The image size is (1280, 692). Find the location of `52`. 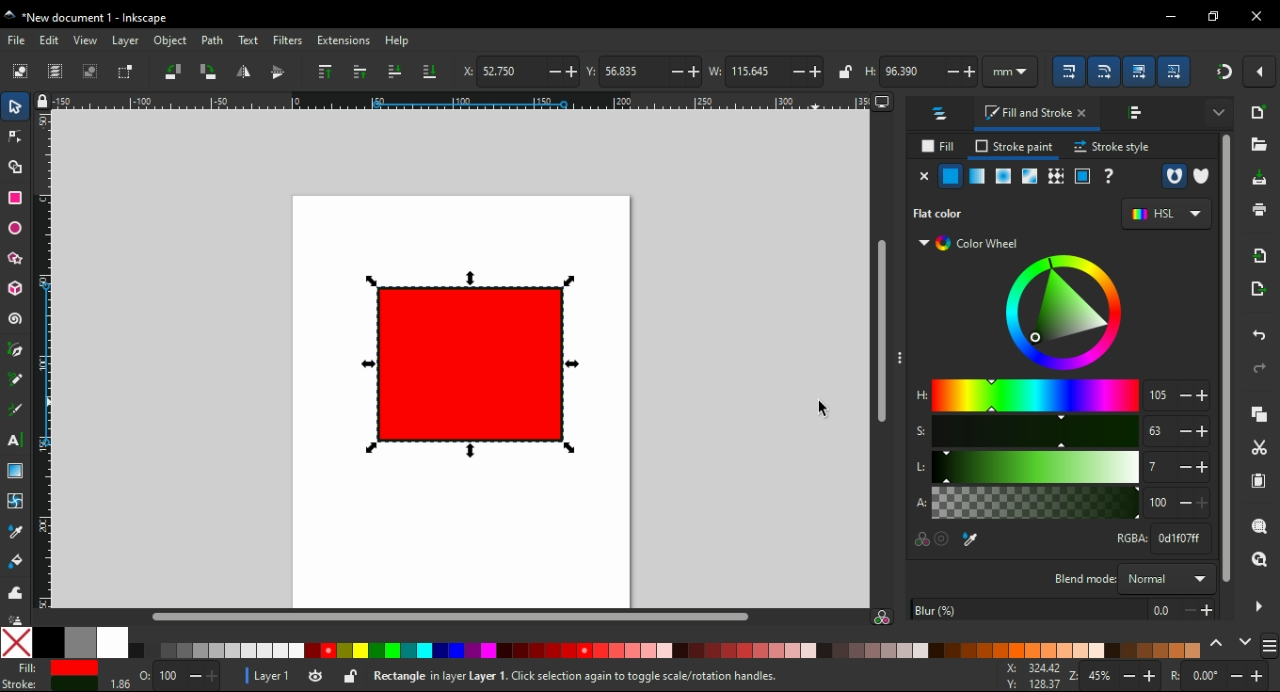

52 is located at coordinates (509, 71).